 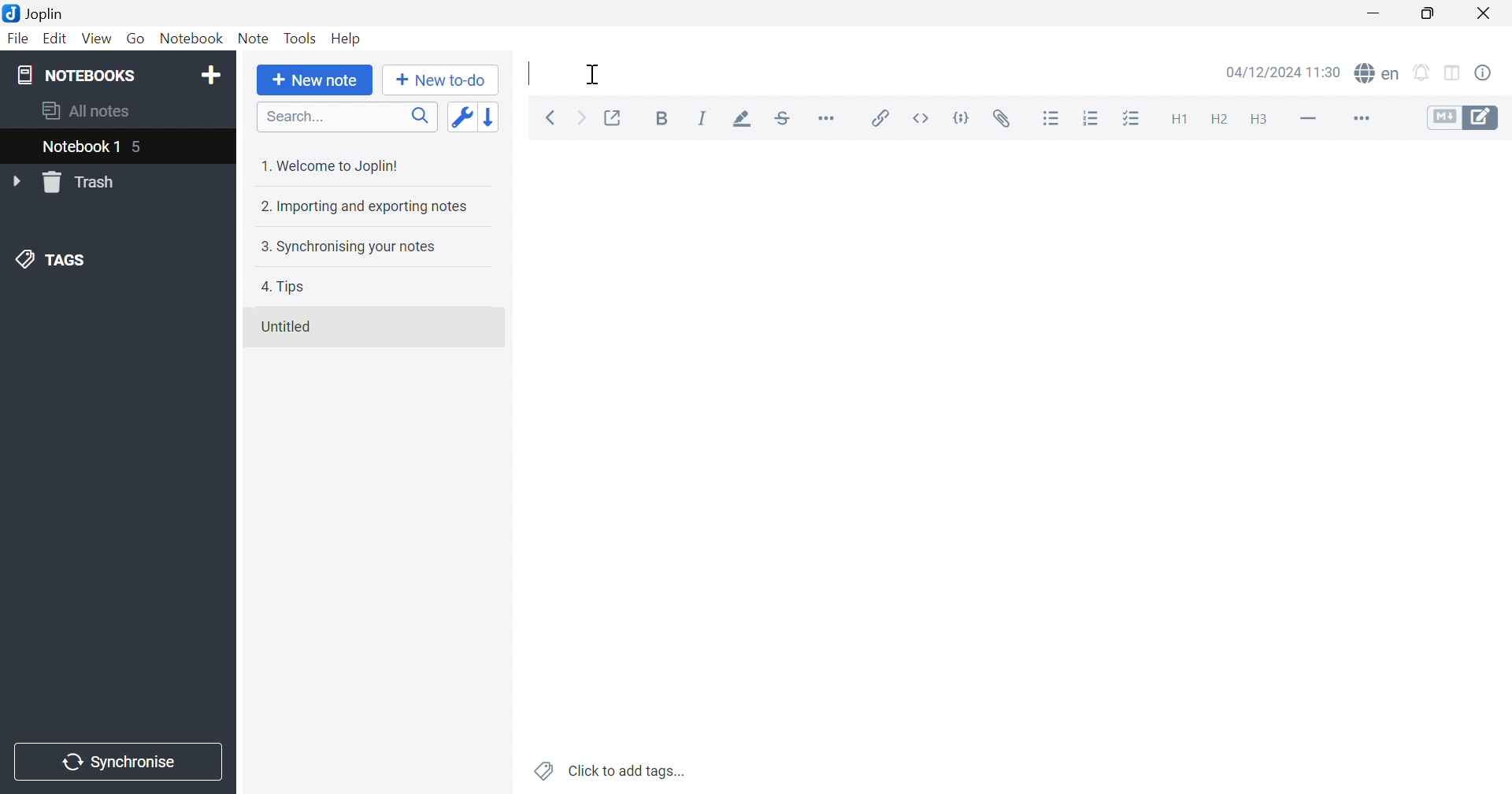 I want to click on Back, so click(x=552, y=117).